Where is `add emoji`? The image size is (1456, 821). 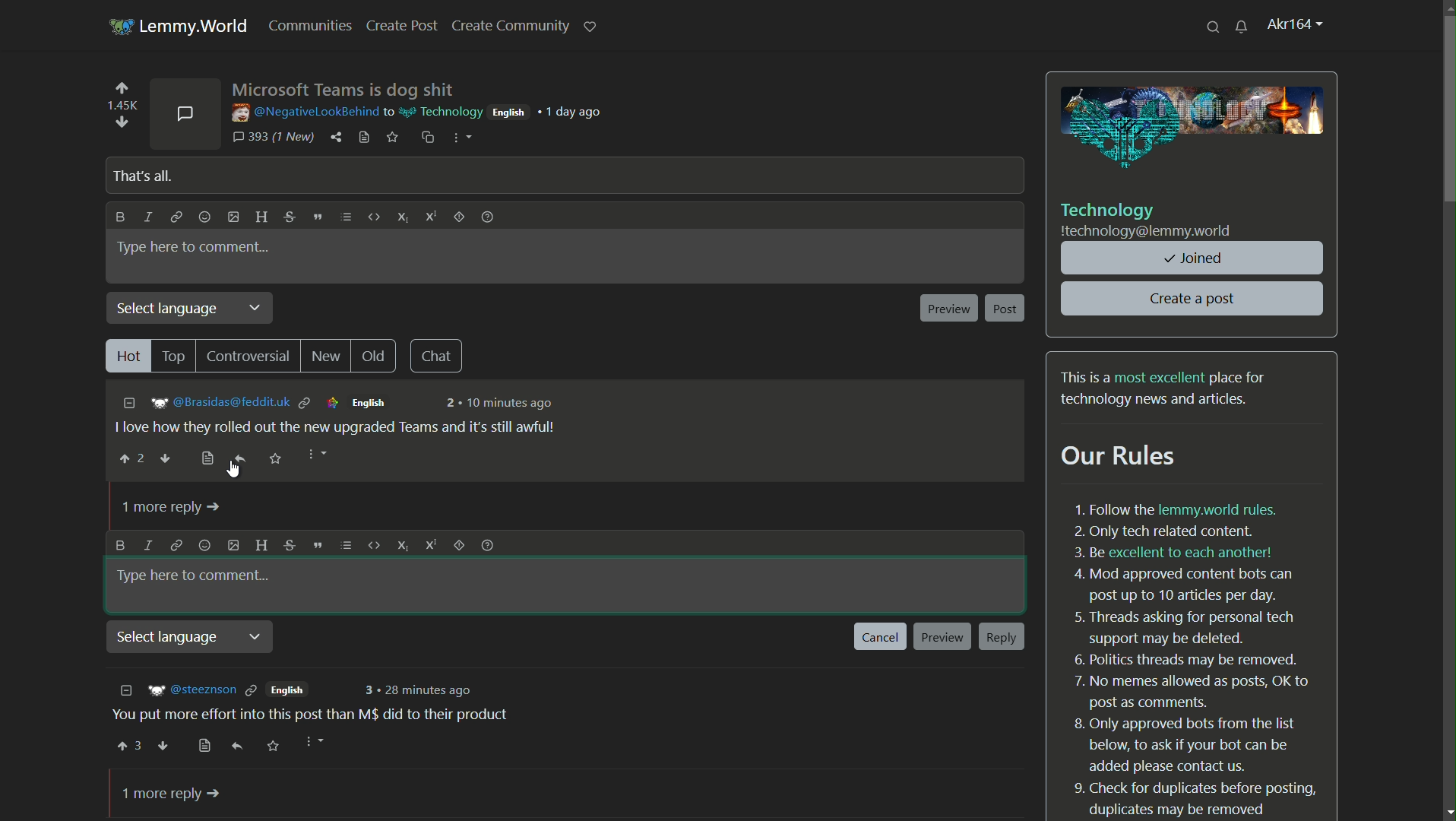 add emoji is located at coordinates (204, 545).